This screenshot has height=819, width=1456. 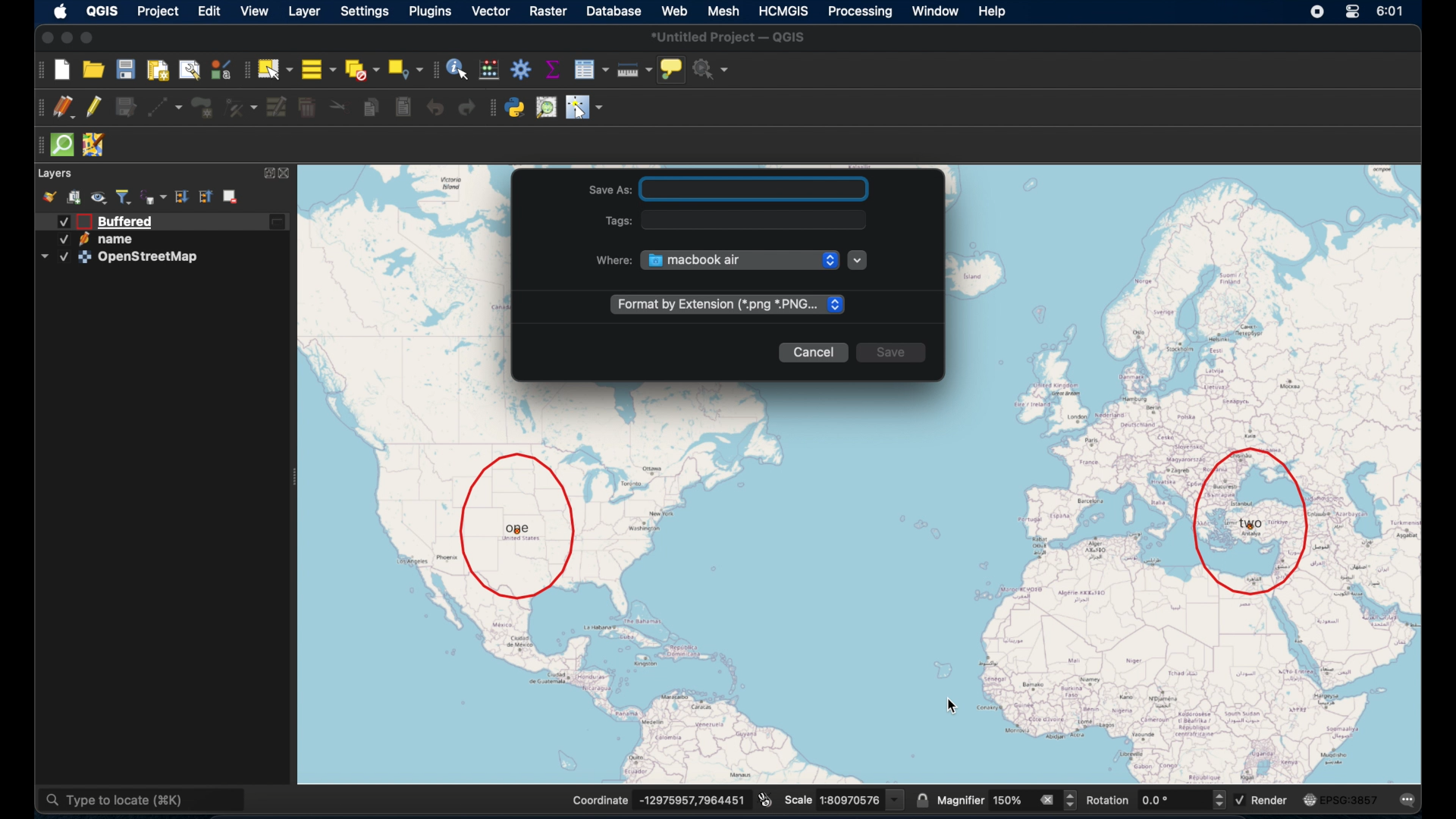 I want to click on plugins toolbar, so click(x=491, y=108).